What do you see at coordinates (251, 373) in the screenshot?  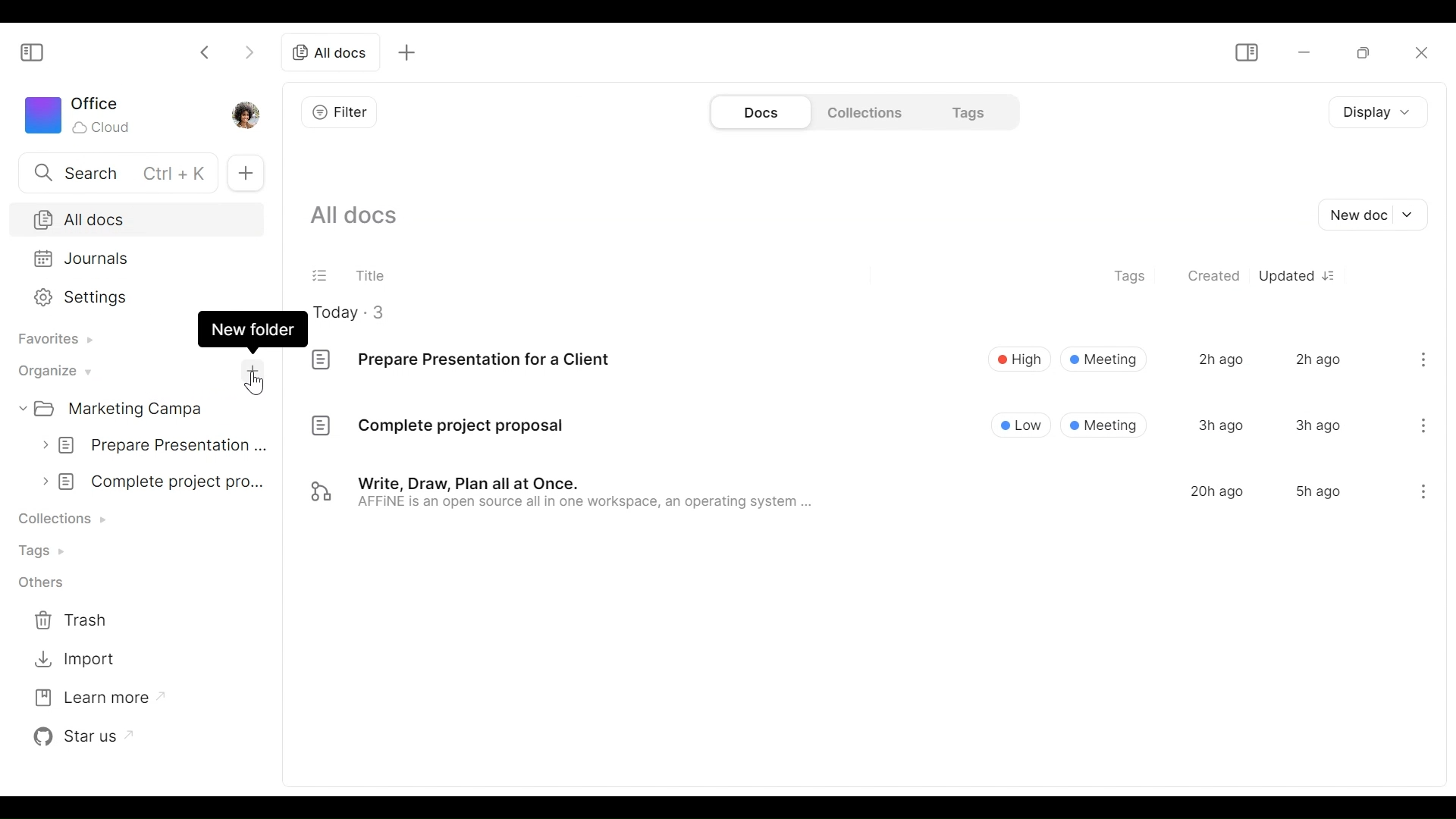 I see `Create new Folder` at bounding box center [251, 373].